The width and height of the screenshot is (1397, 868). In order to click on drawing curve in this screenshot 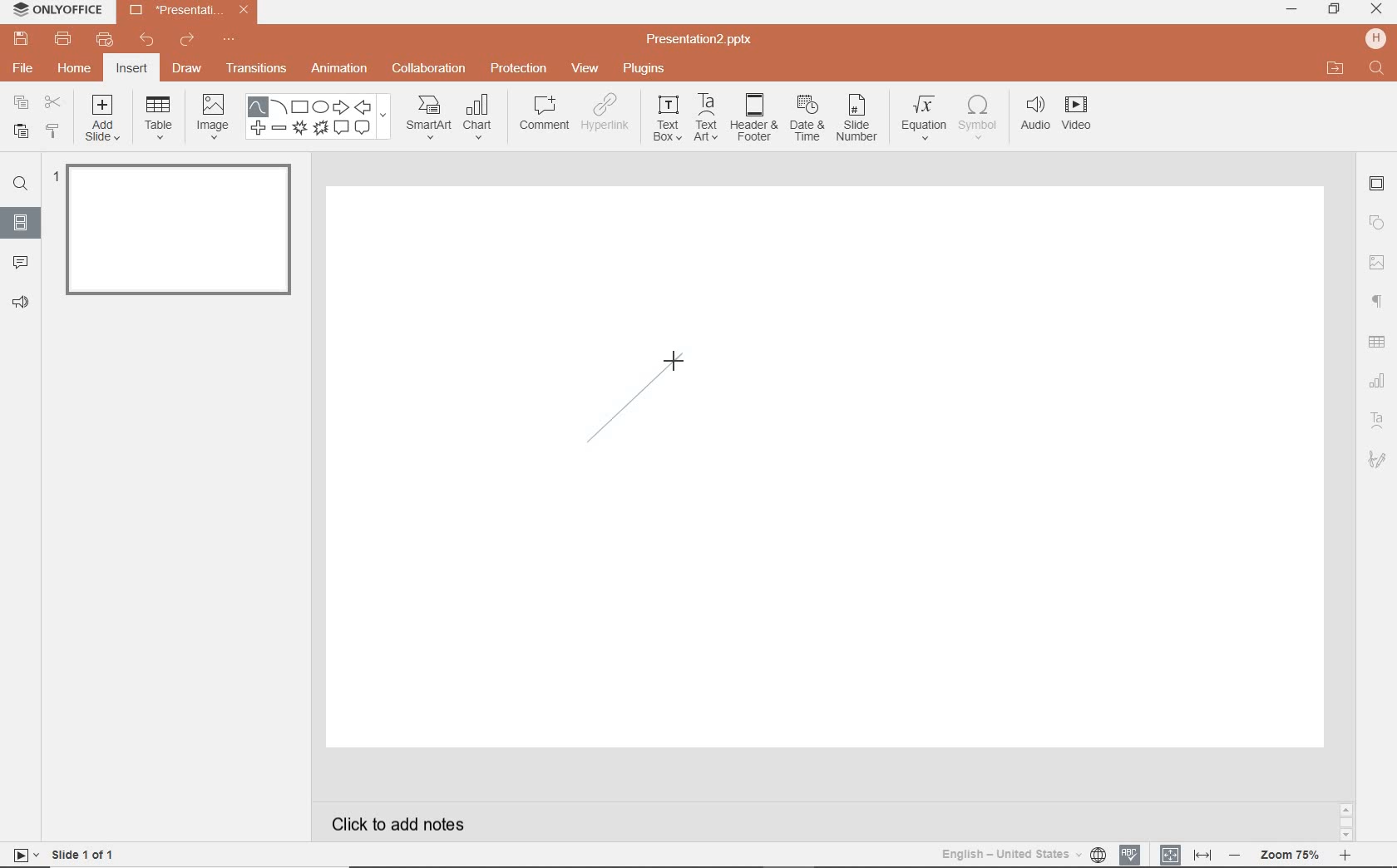, I will do `click(654, 394)`.